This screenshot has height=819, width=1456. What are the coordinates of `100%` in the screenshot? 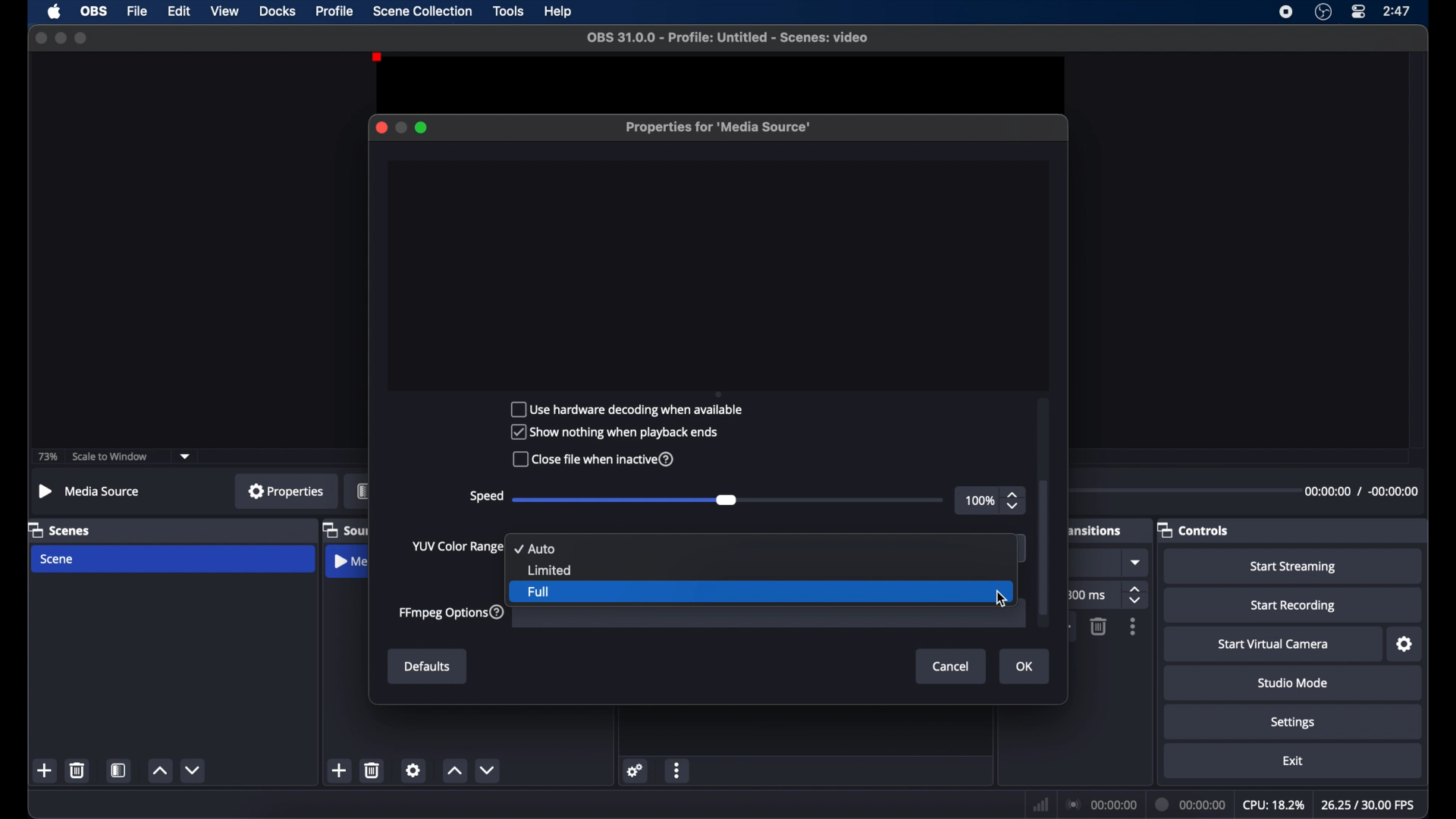 It's located at (980, 501).